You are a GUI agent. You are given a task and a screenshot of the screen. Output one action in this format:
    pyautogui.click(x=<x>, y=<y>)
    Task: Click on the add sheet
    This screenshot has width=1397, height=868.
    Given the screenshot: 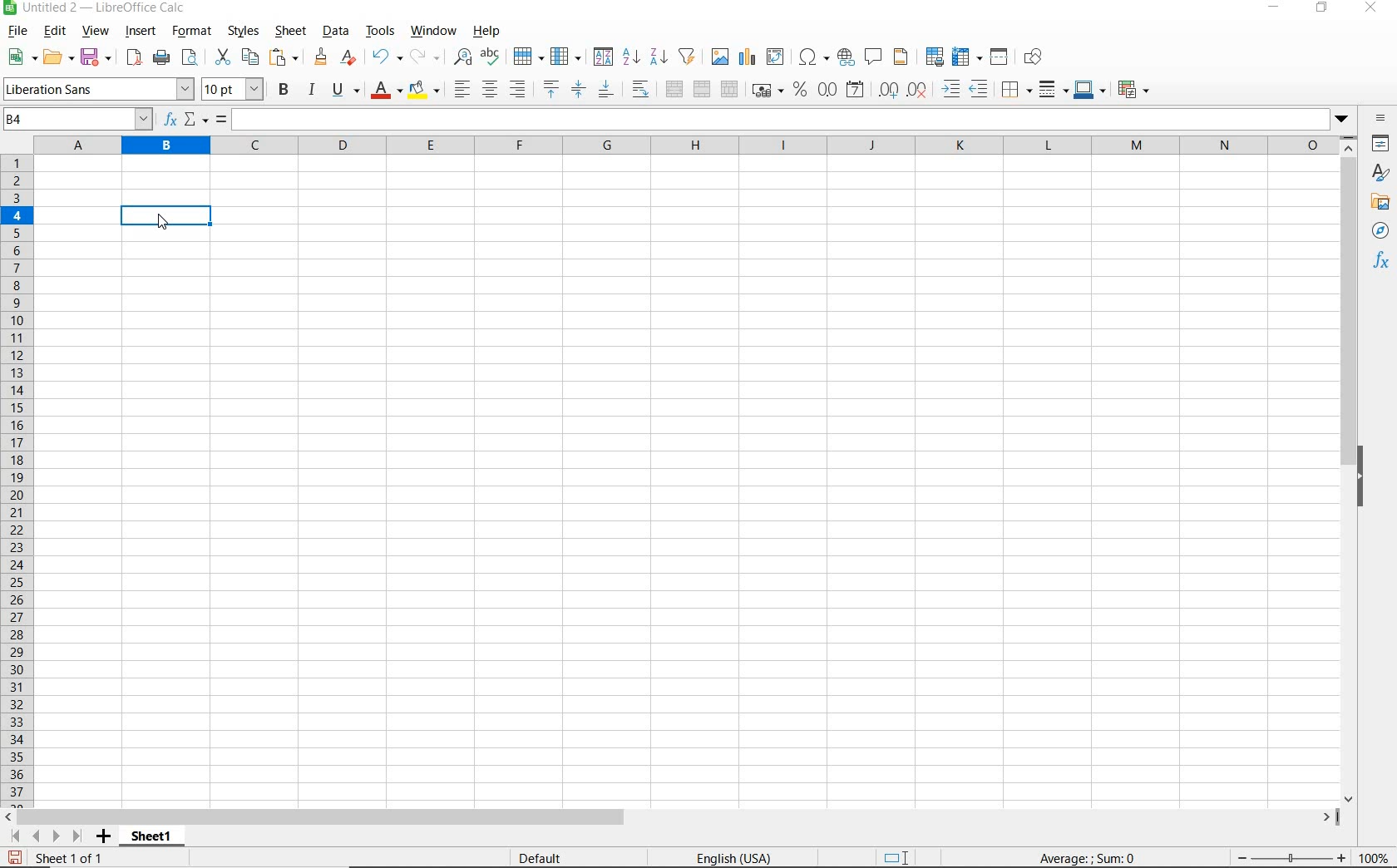 What is the action you would take?
    pyautogui.click(x=102, y=837)
    